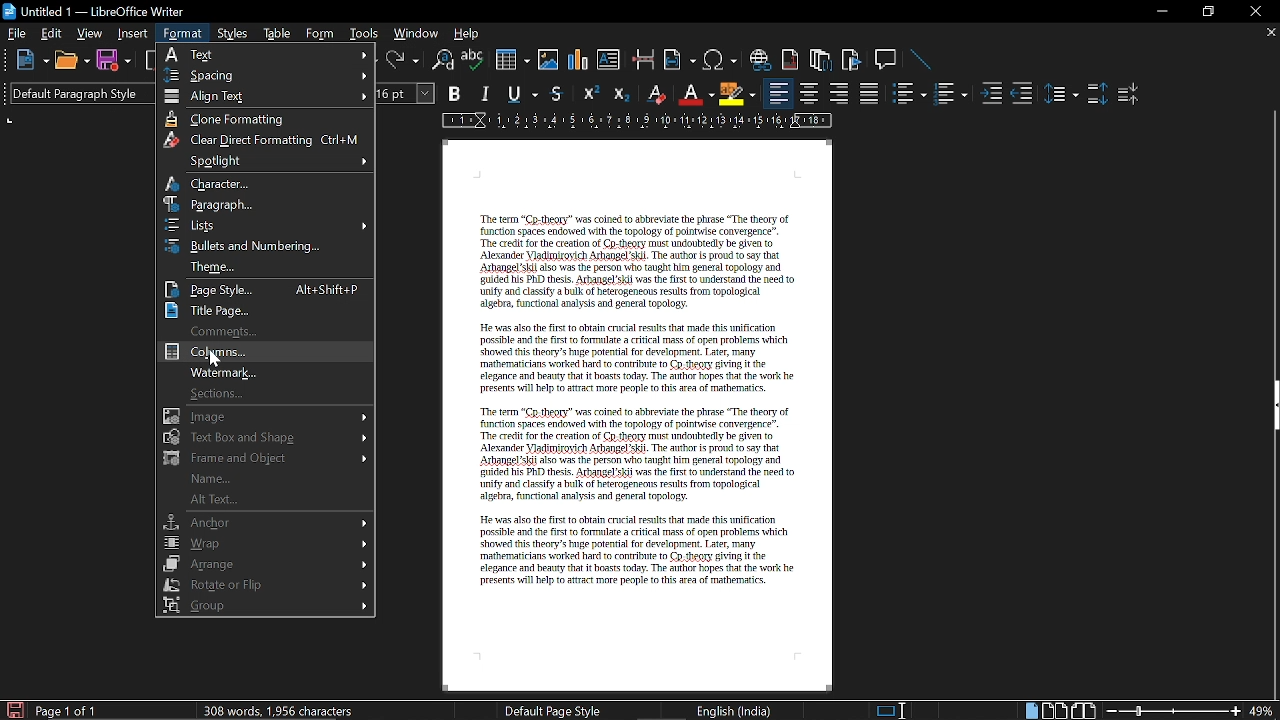 Image resolution: width=1280 pixels, height=720 pixels. Describe the element at coordinates (1128, 93) in the screenshot. I see `Decrease paragraph spacing` at that location.